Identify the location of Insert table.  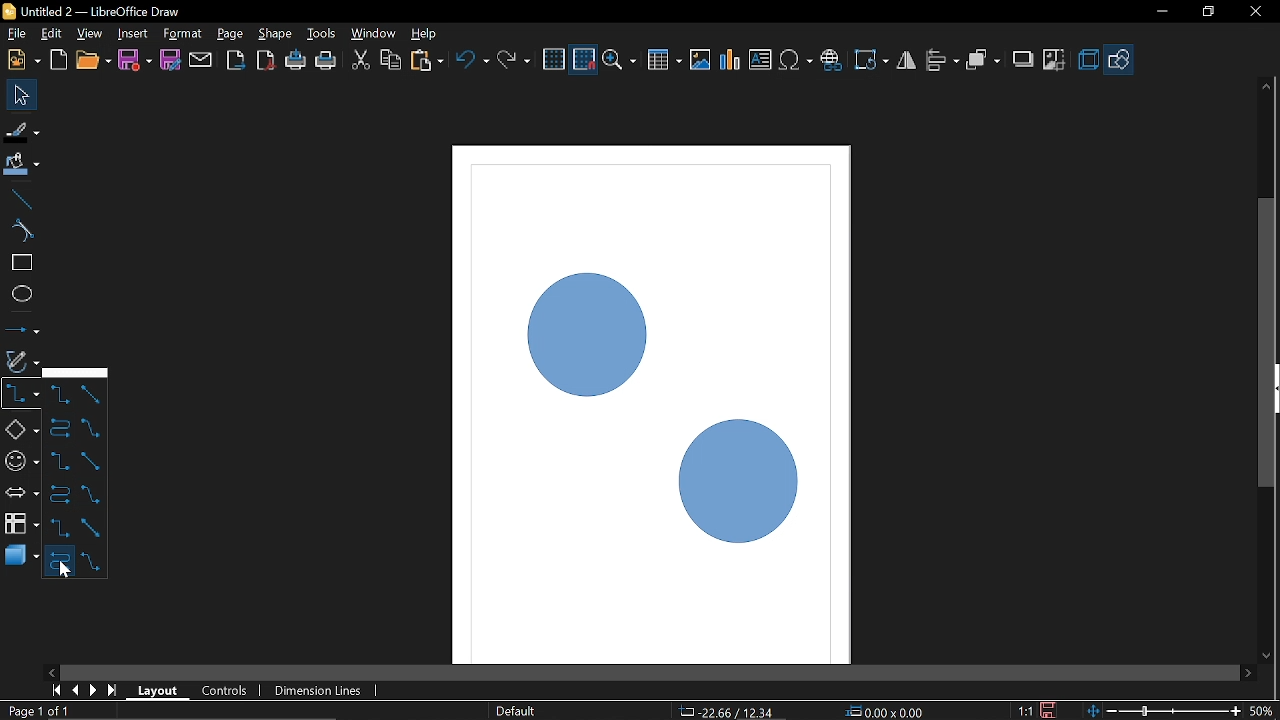
(665, 60).